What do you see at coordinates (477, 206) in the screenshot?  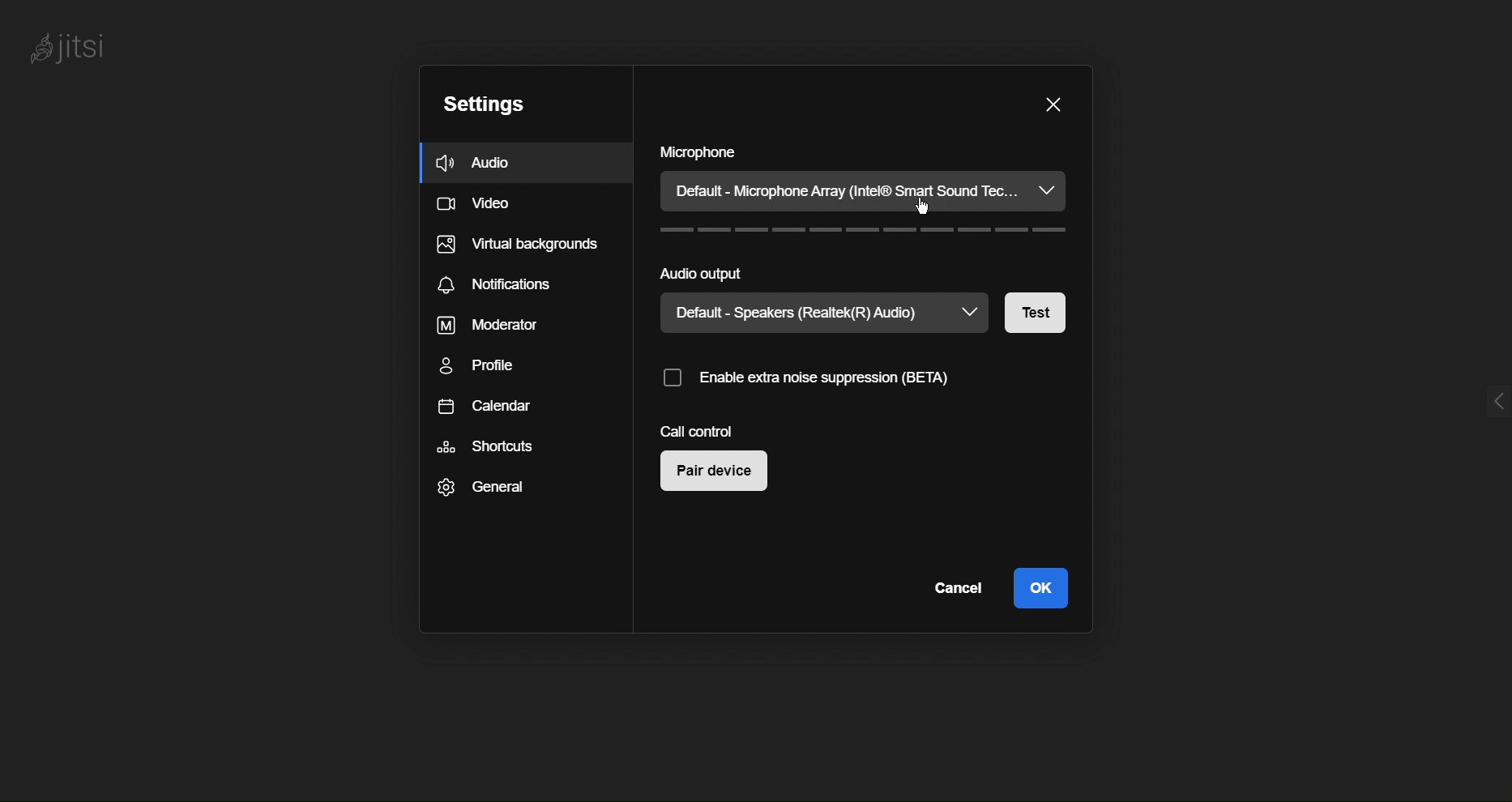 I see `Video` at bounding box center [477, 206].